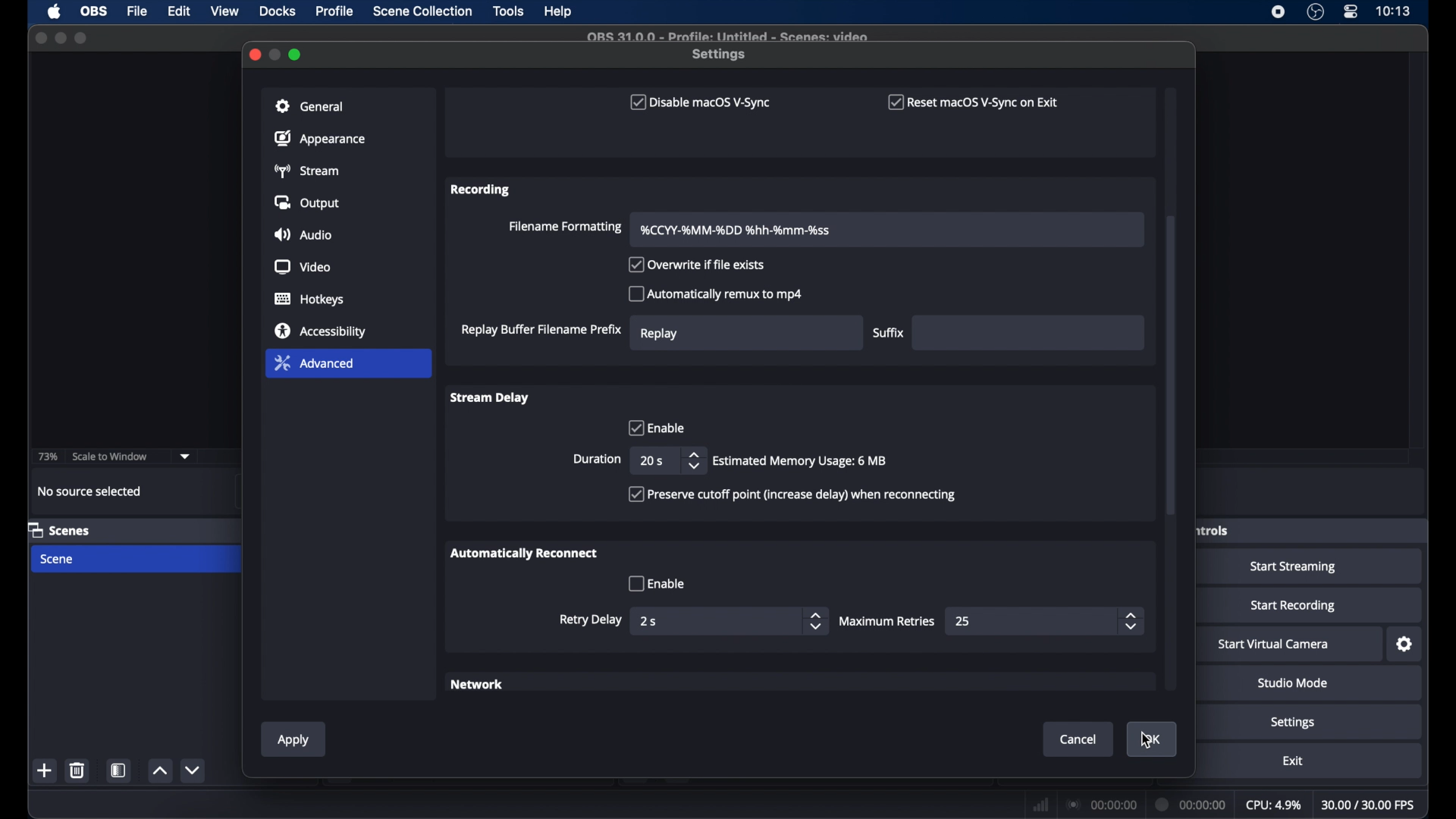 This screenshot has width=1456, height=819. What do you see at coordinates (563, 227) in the screenshot?
I see `filename formatting` at bounding box center [563, 227].